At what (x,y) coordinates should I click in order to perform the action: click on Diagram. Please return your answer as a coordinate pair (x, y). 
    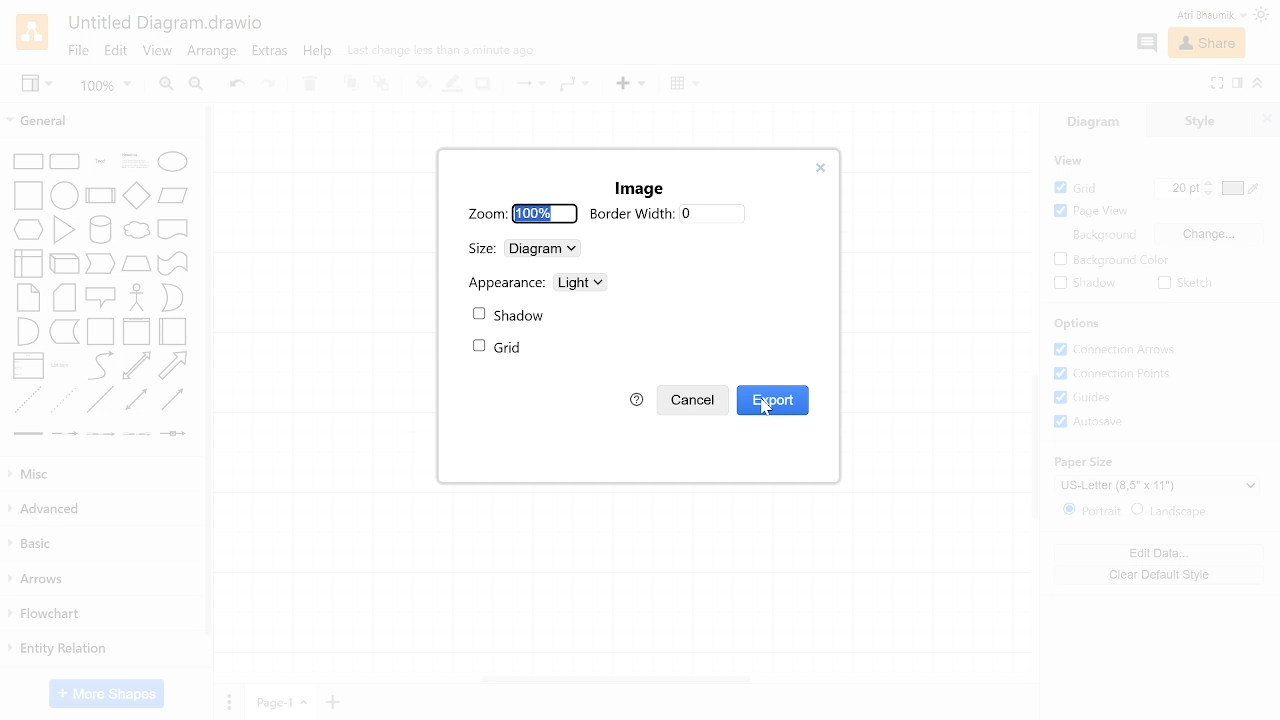
    Looking at the image, I should click on (545, 248).